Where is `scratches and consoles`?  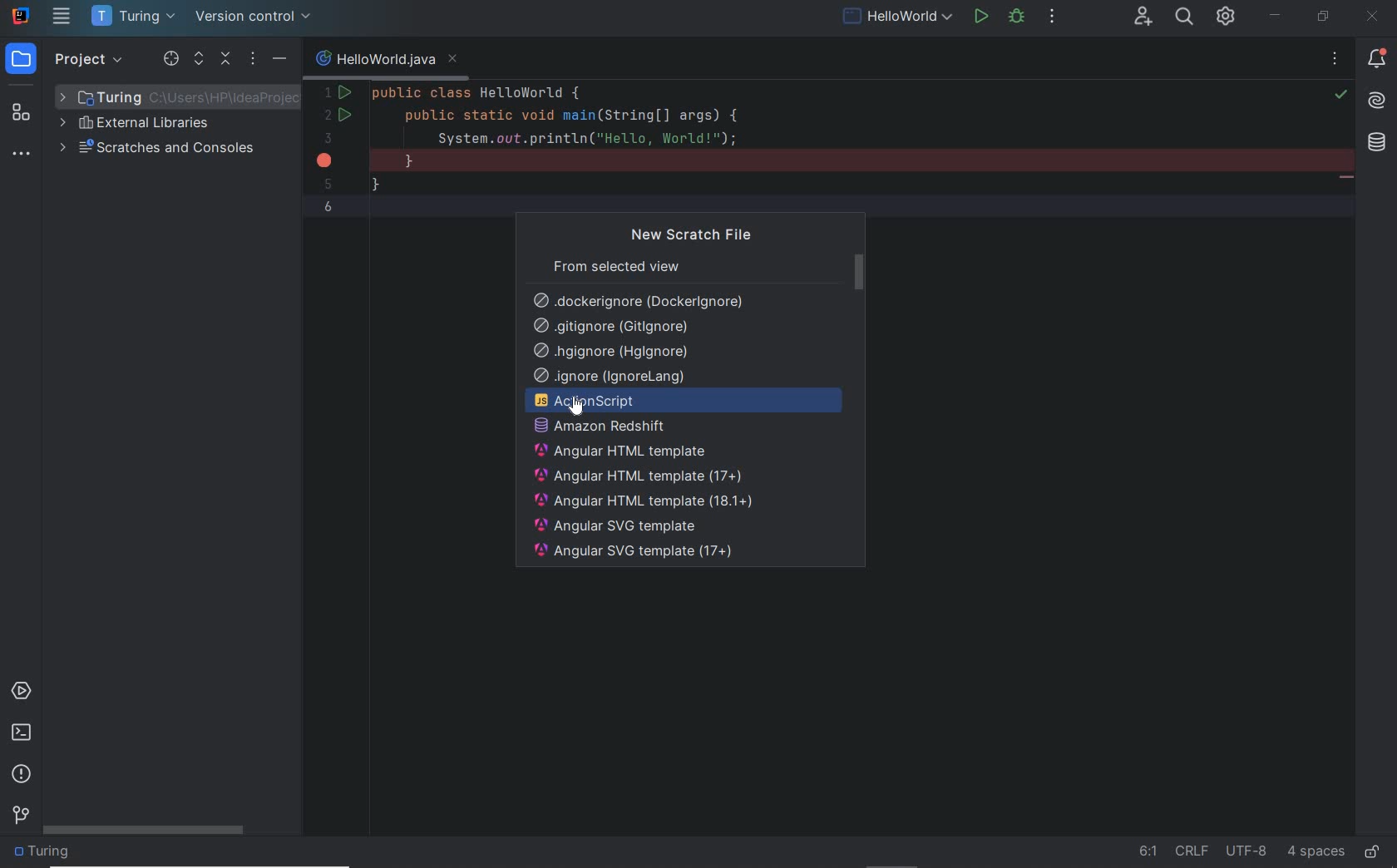
scratches and consoles is located at coordinates (159, 150).